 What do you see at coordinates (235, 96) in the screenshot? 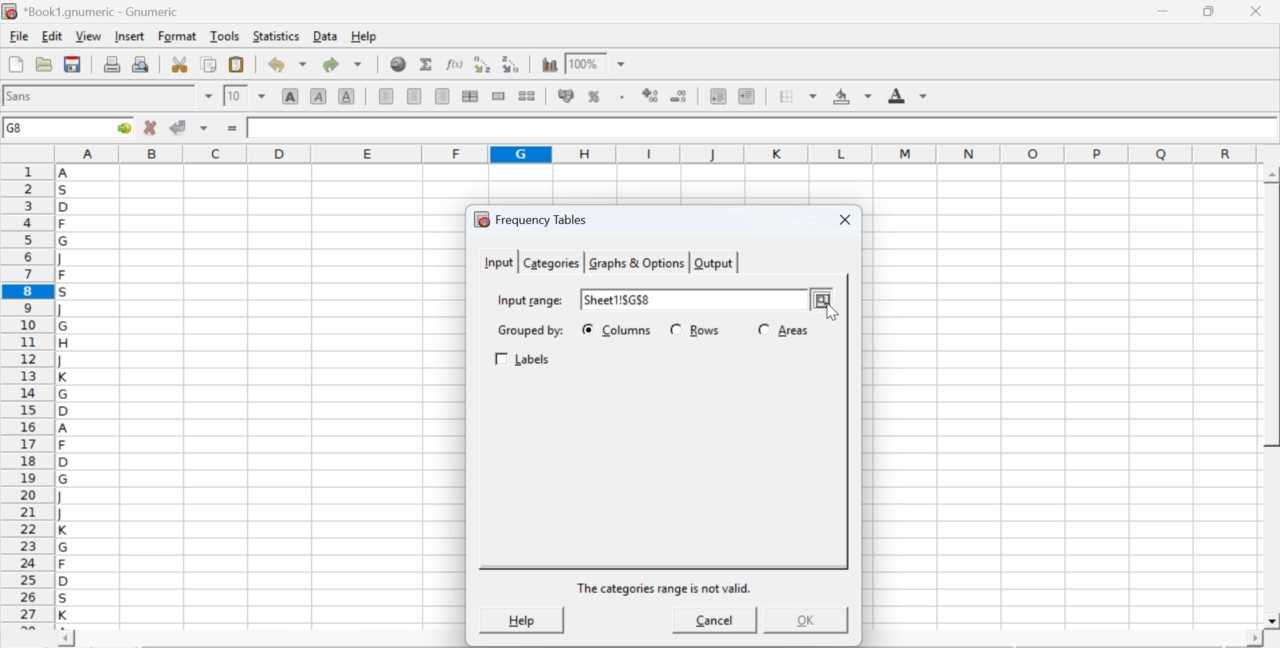
I see `10` at bounding box center [235, 96].